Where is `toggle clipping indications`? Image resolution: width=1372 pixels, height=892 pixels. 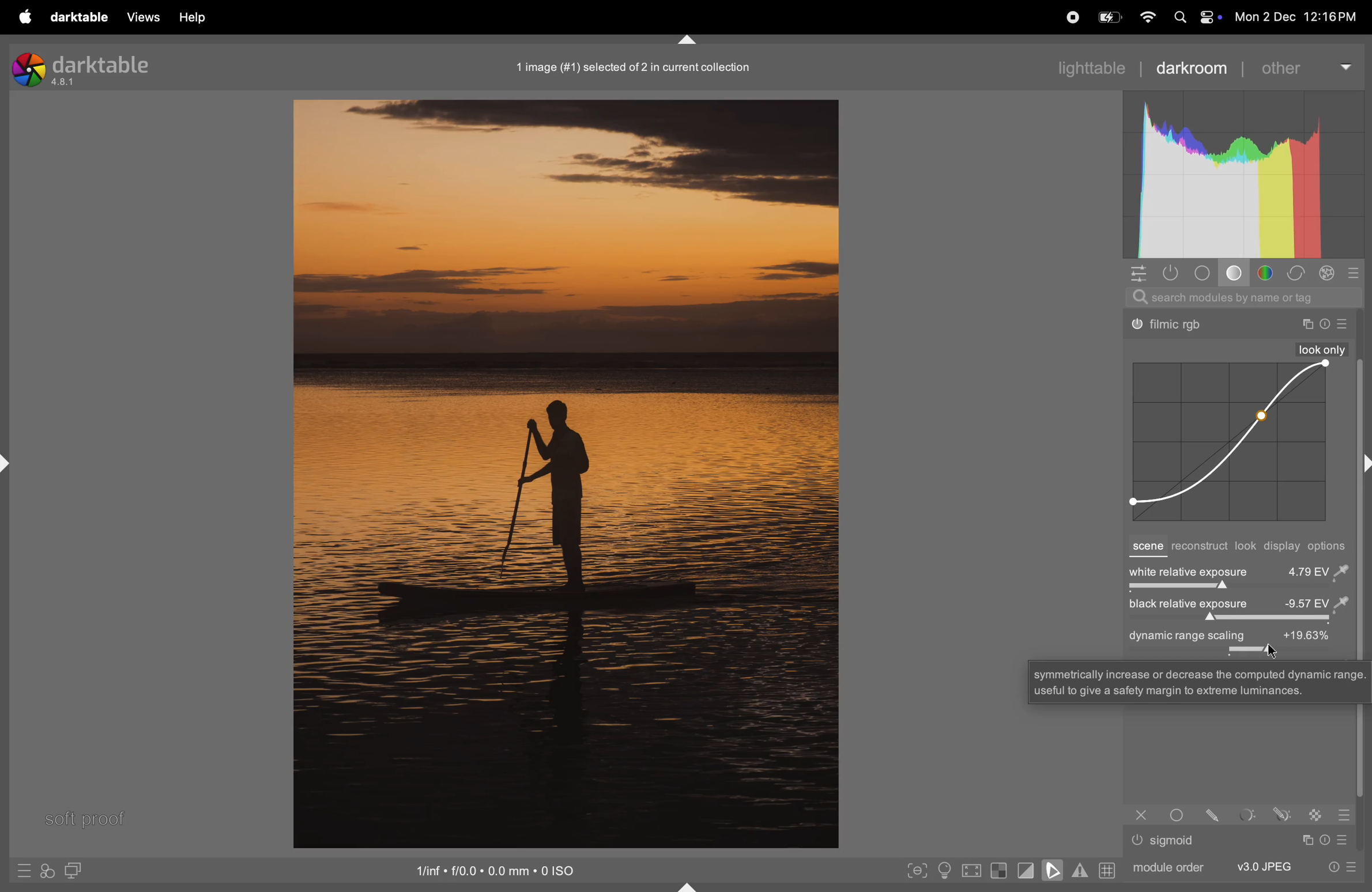 toggle clipping indications is located at coordinates (1026, 870).